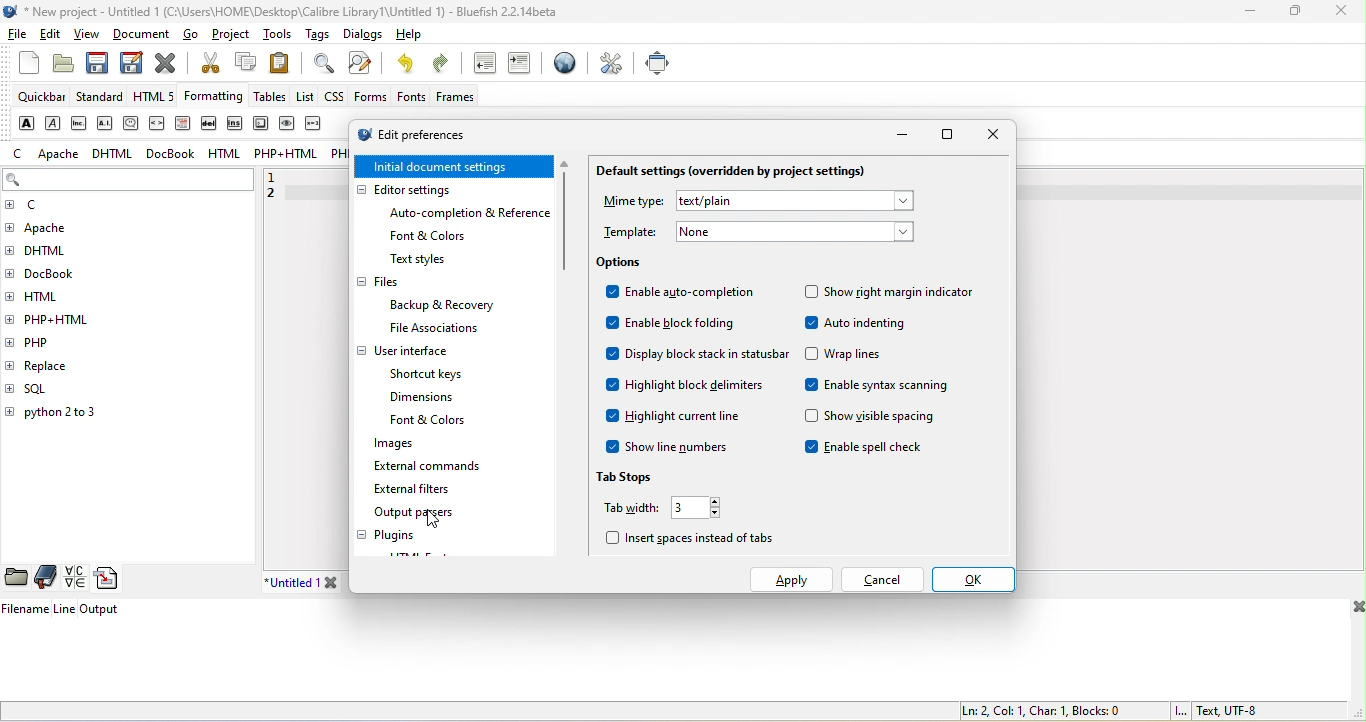  I want to click on images, so click(385, 445).